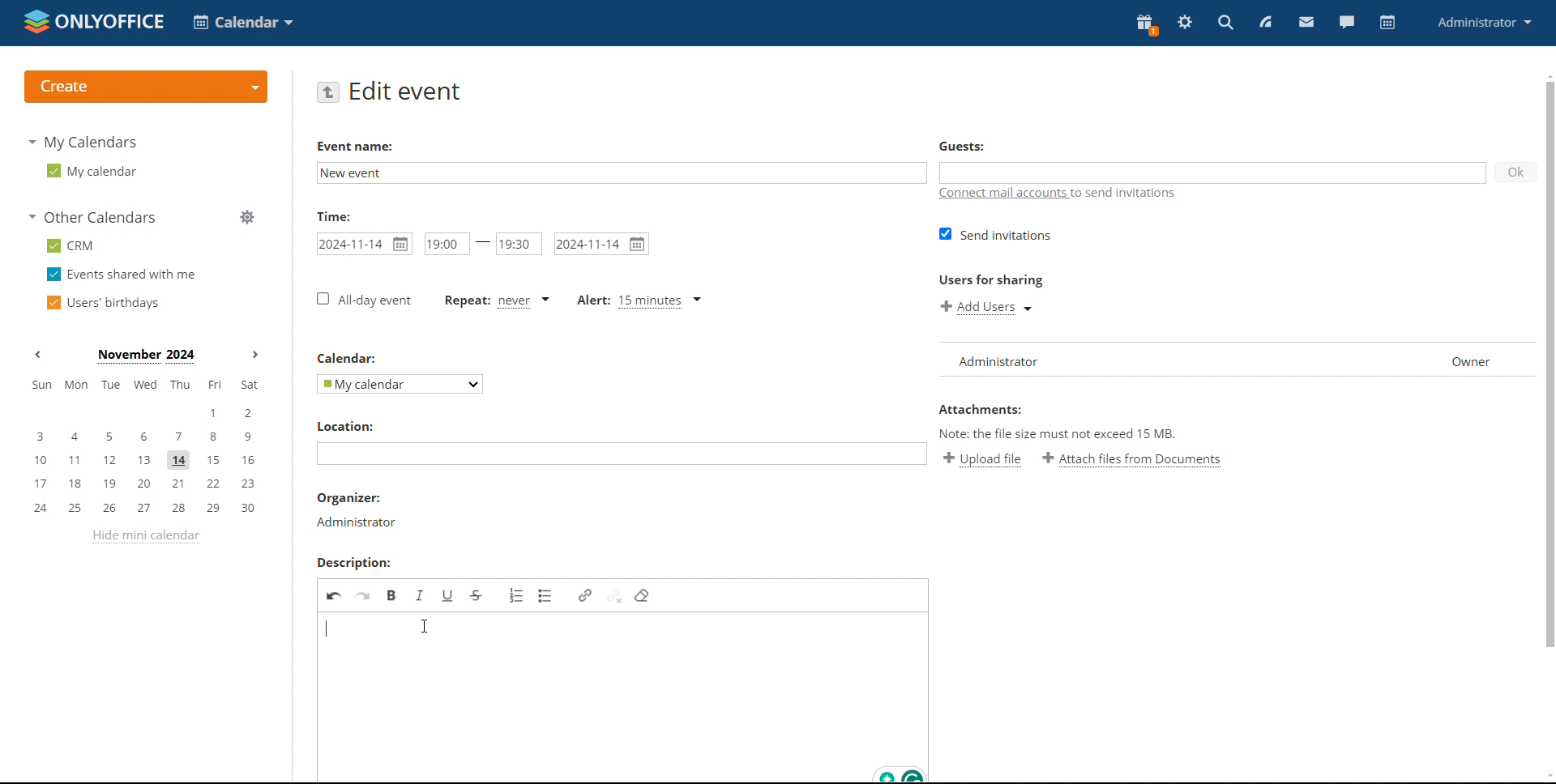 The height and width of the screenshot is (784, 1556). What do you see at coordinates (1075, 434) in the screenshot?
I see `text` at bounding box center [1075, 434].